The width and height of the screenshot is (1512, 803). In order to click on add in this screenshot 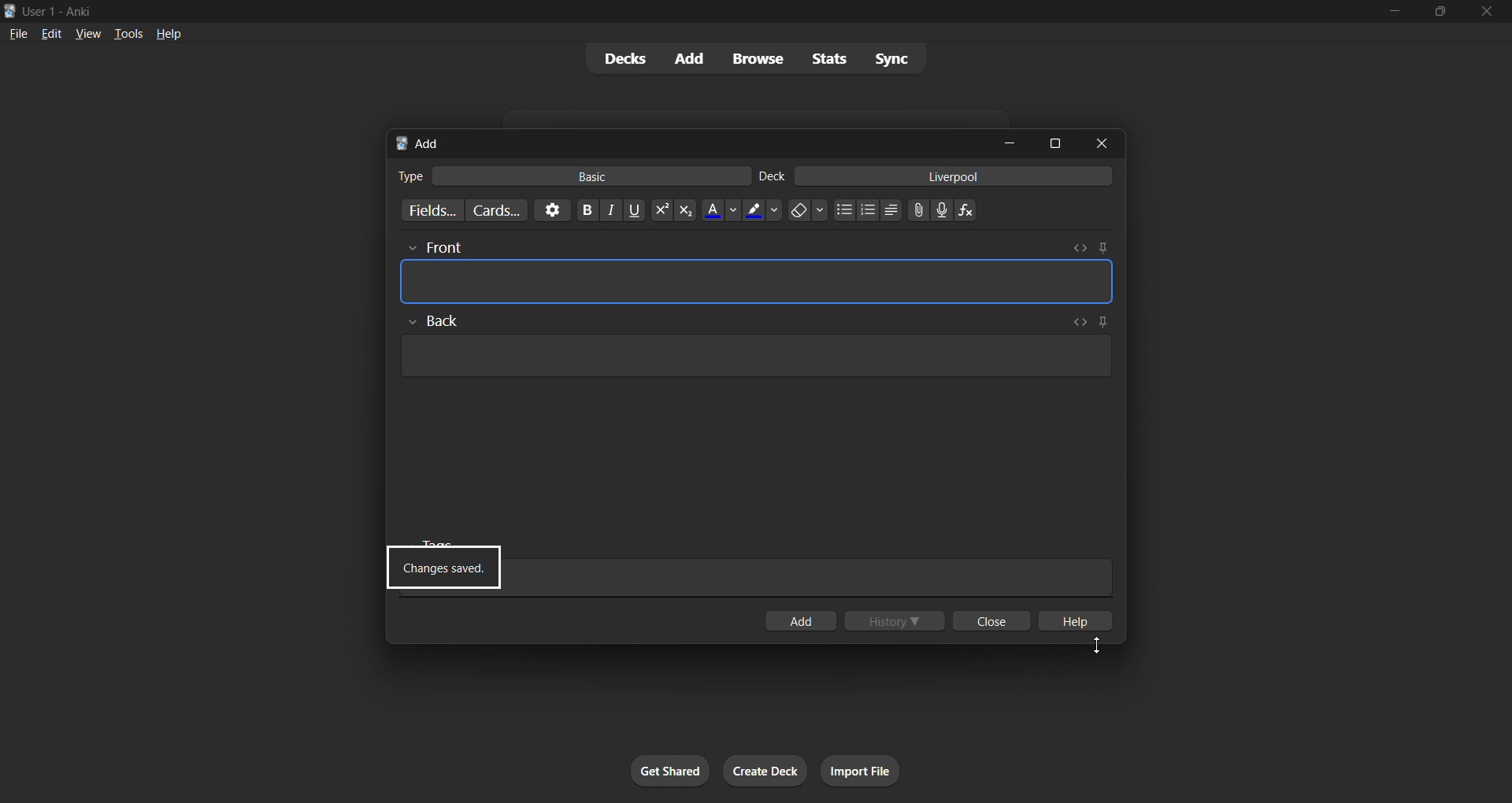, I will do `click(685, 56)`.